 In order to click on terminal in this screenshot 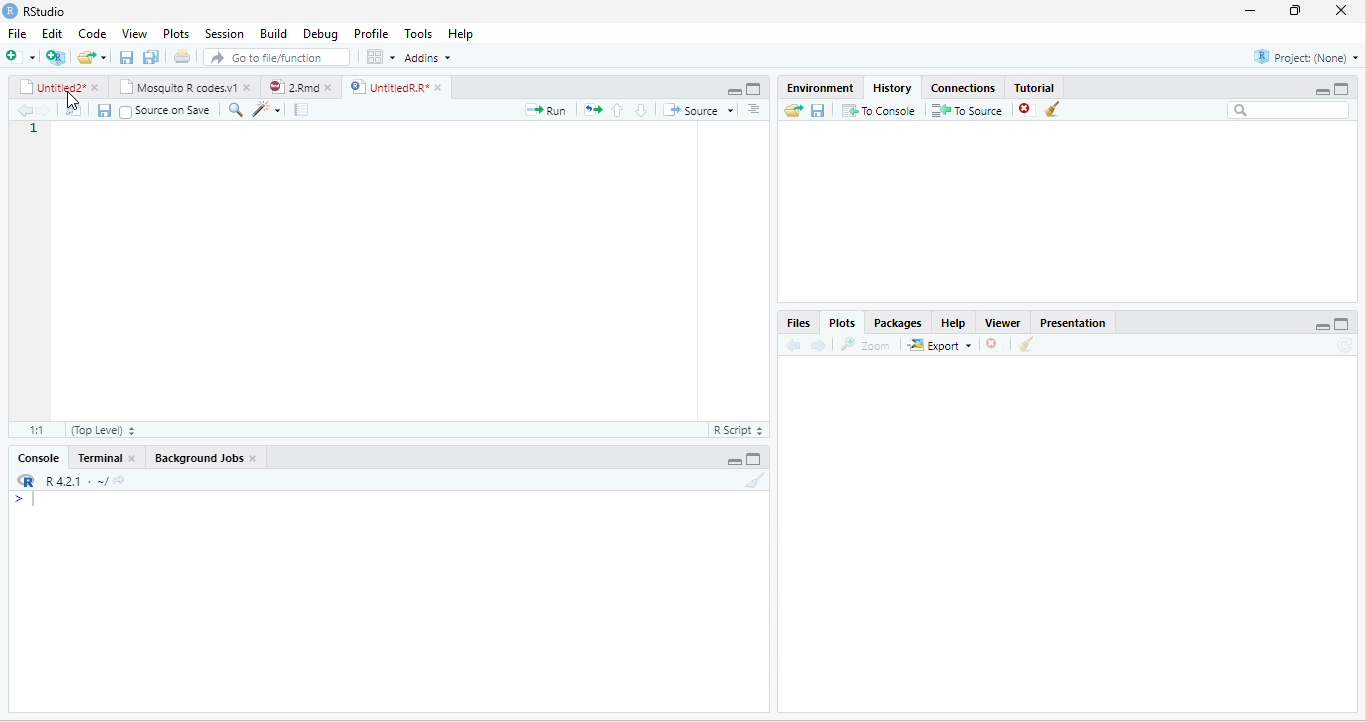, I will do `click(110, 457)`.